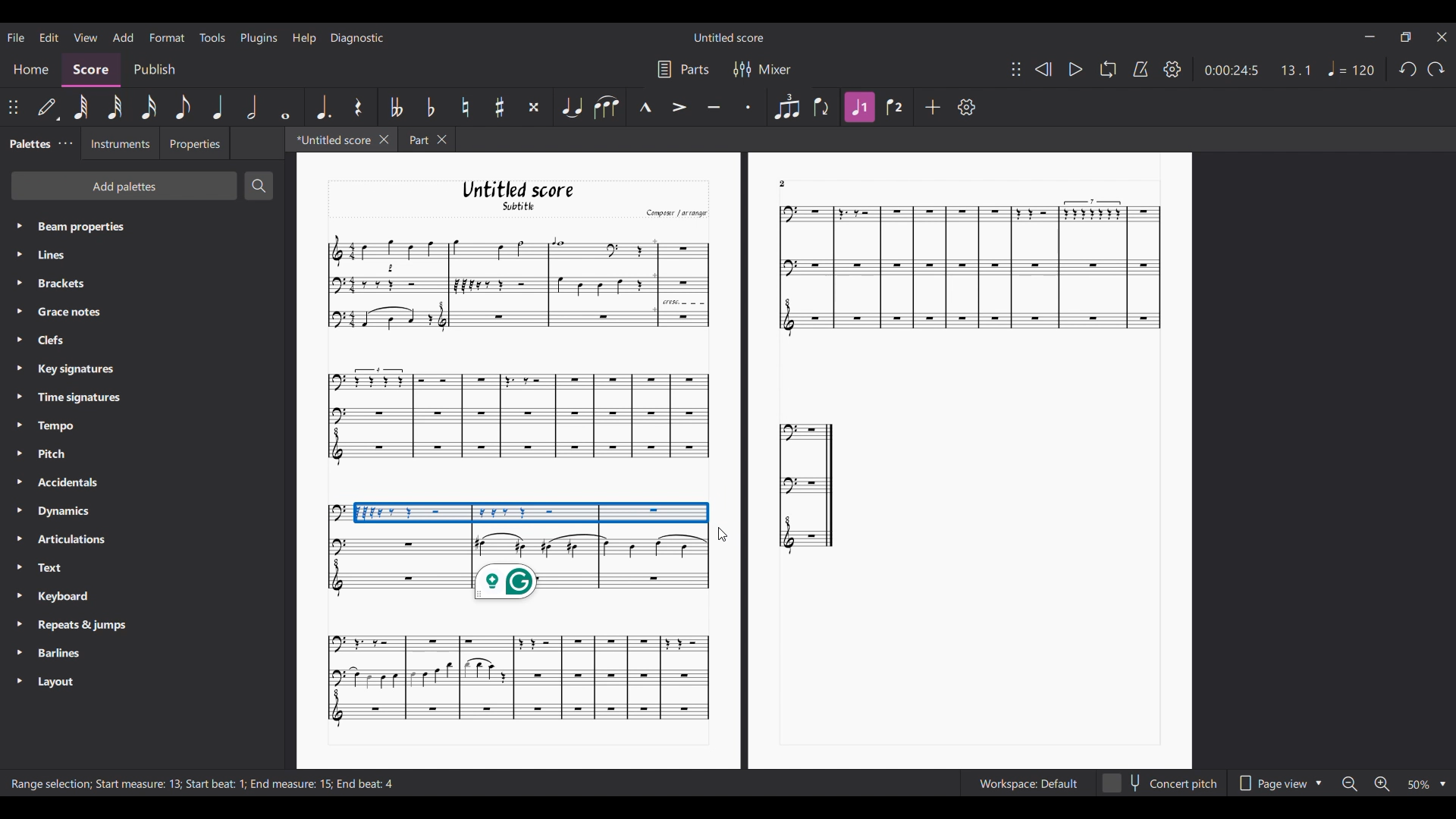 The height and width of the screenshot is (819, 1456). Describe the element at coordinates (1141, 69) in the screenshot. I see `Metronome` at that location.